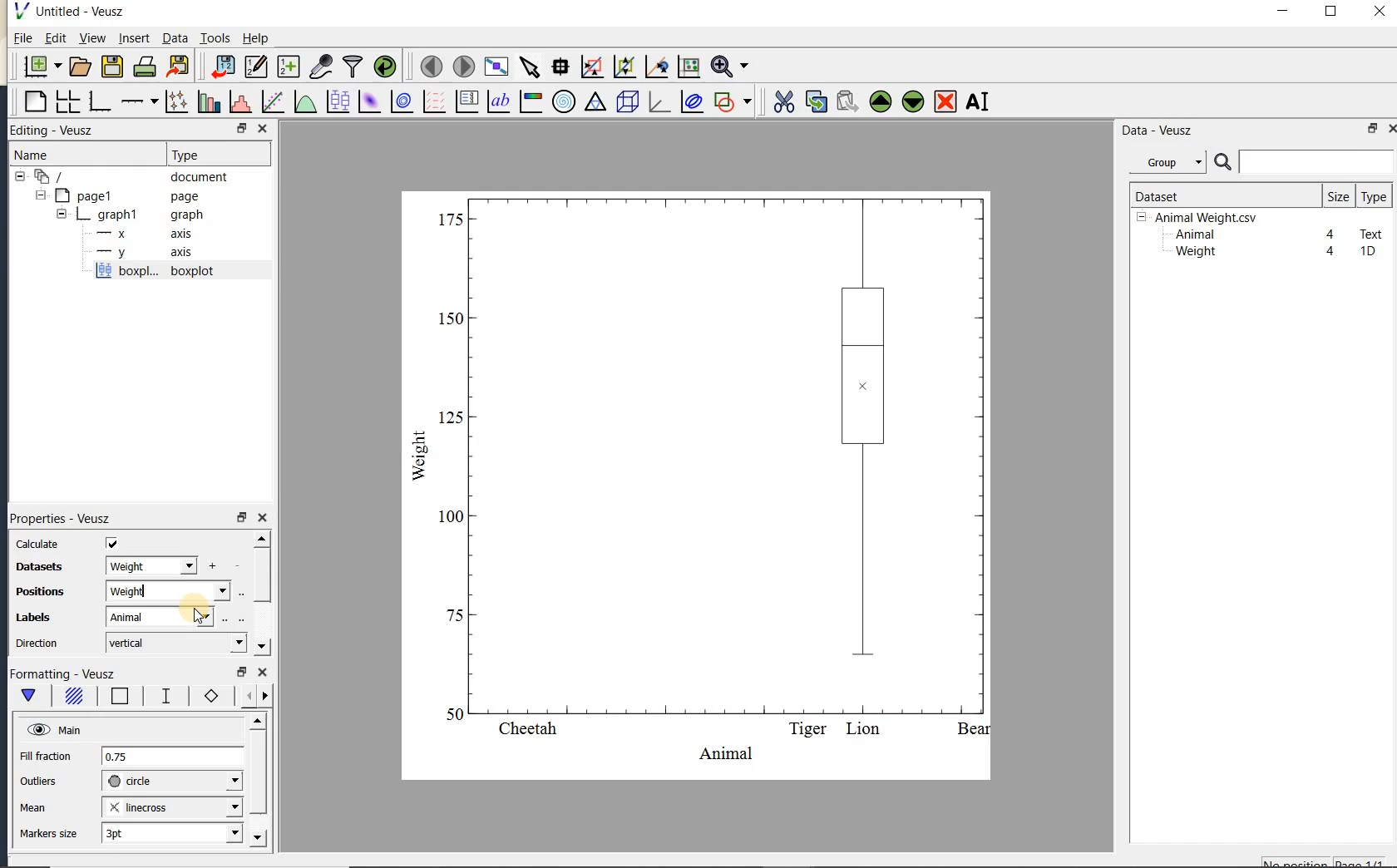 The width and height of the screenshot is (1397, 868). What do you see at coordinates (560, 67) in the screenshot?
I see `read data points on the graph` at bounding box center [560, 67].